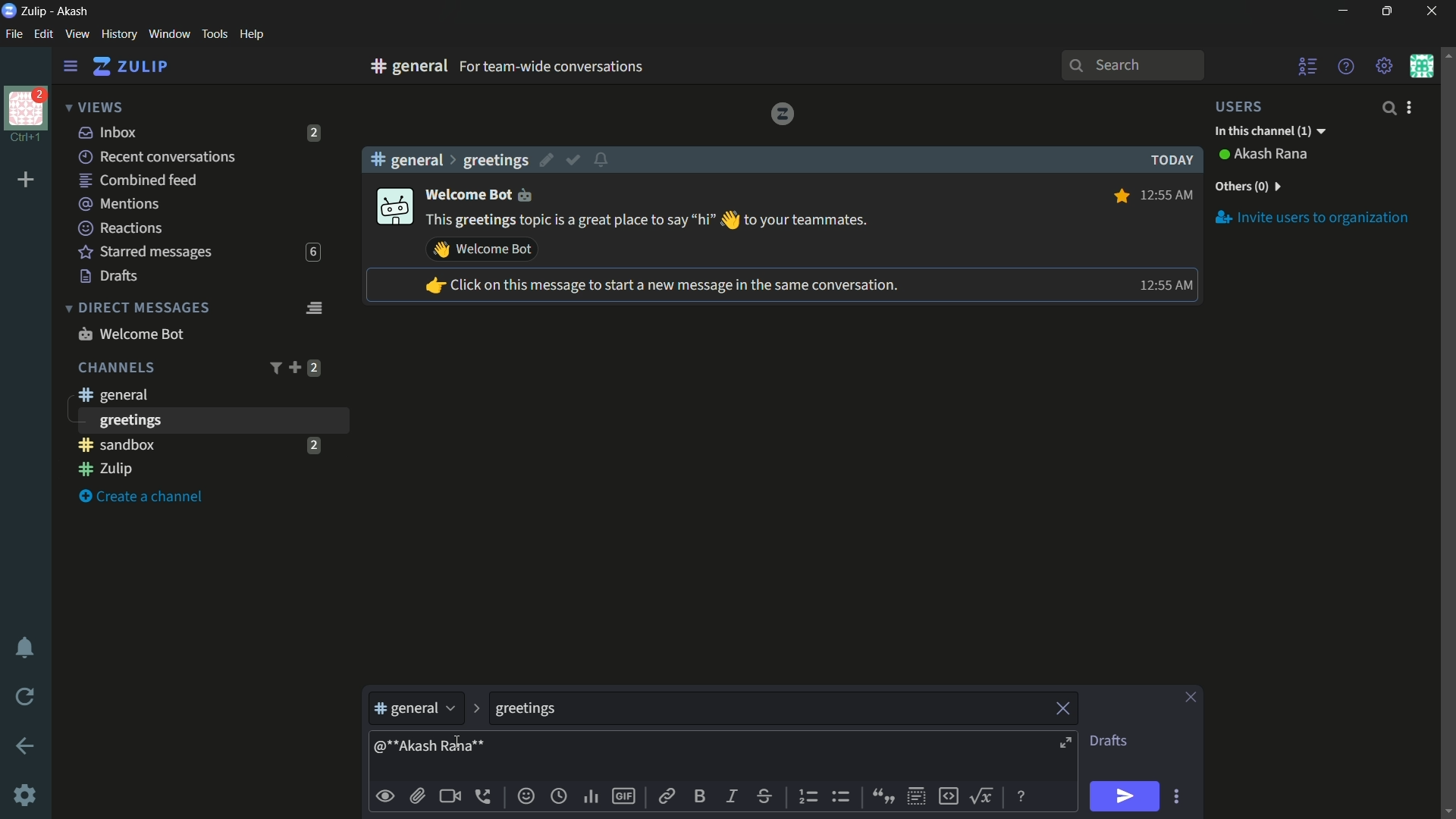  I want to click on Zulip, so click(36, 11).